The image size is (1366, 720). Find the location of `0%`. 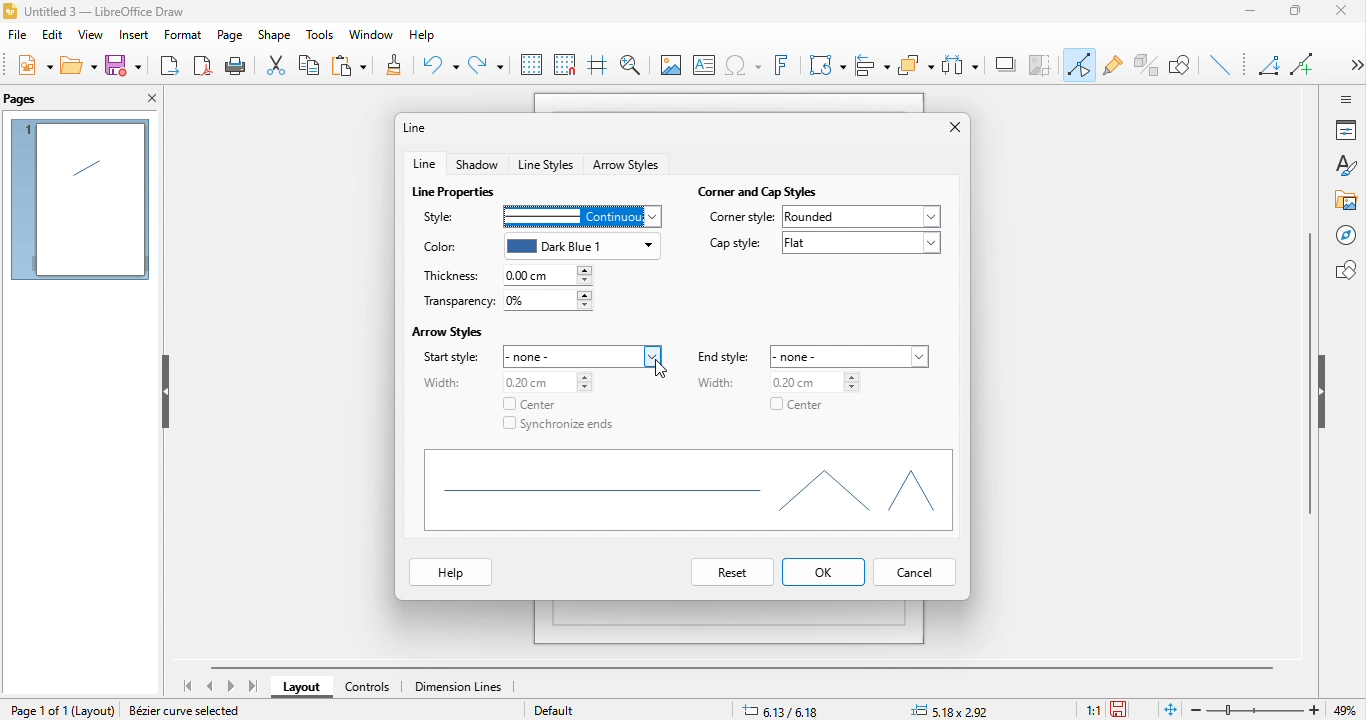

0% is located at coordinates (550, 300).